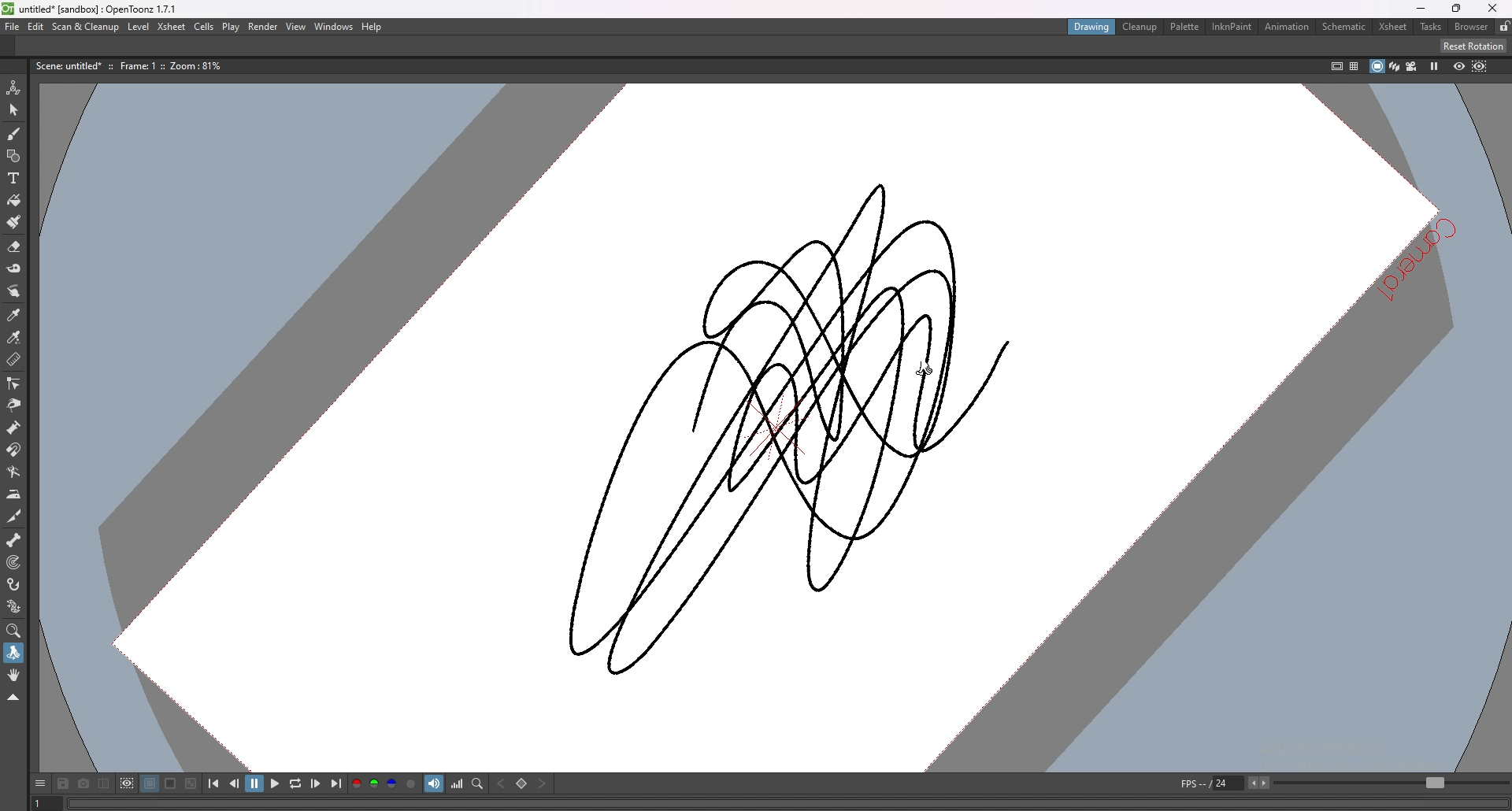 This screenshot has height=811, width=1512. I want to click on locator, so click(478, 784).